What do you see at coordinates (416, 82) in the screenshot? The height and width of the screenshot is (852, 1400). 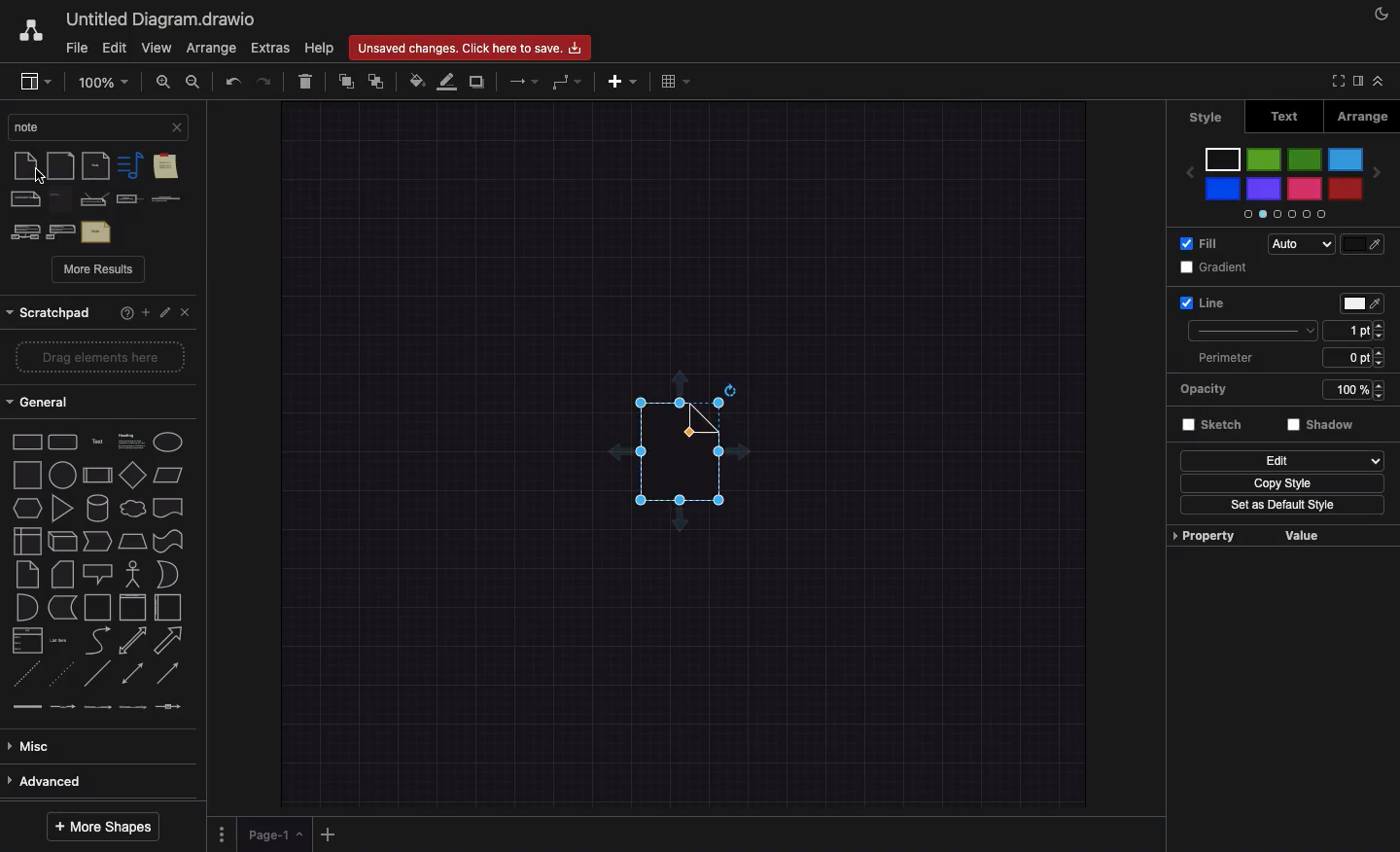 I see `Fill color` at bounding box center [416, 82].